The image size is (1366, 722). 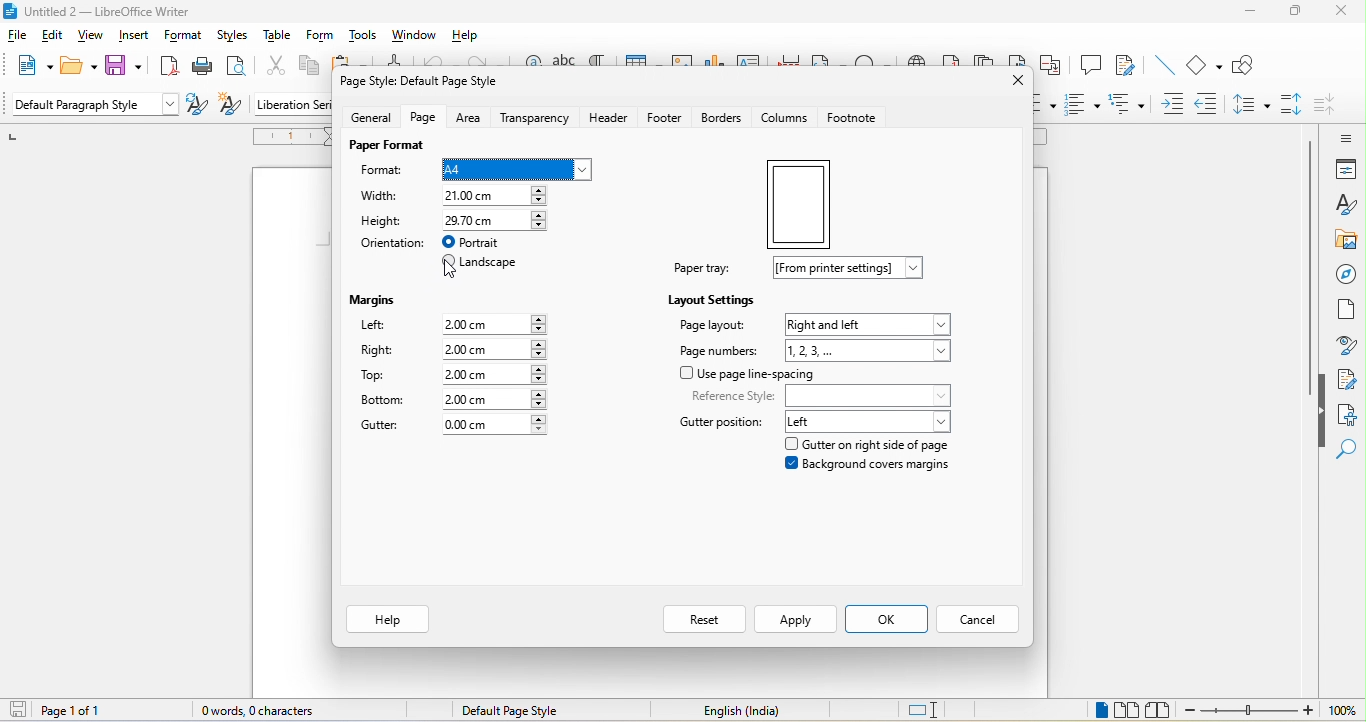 What do you see at coordinates (982, 621) in the screenshot?
I see `cancel` at bounding box center [982, 621].